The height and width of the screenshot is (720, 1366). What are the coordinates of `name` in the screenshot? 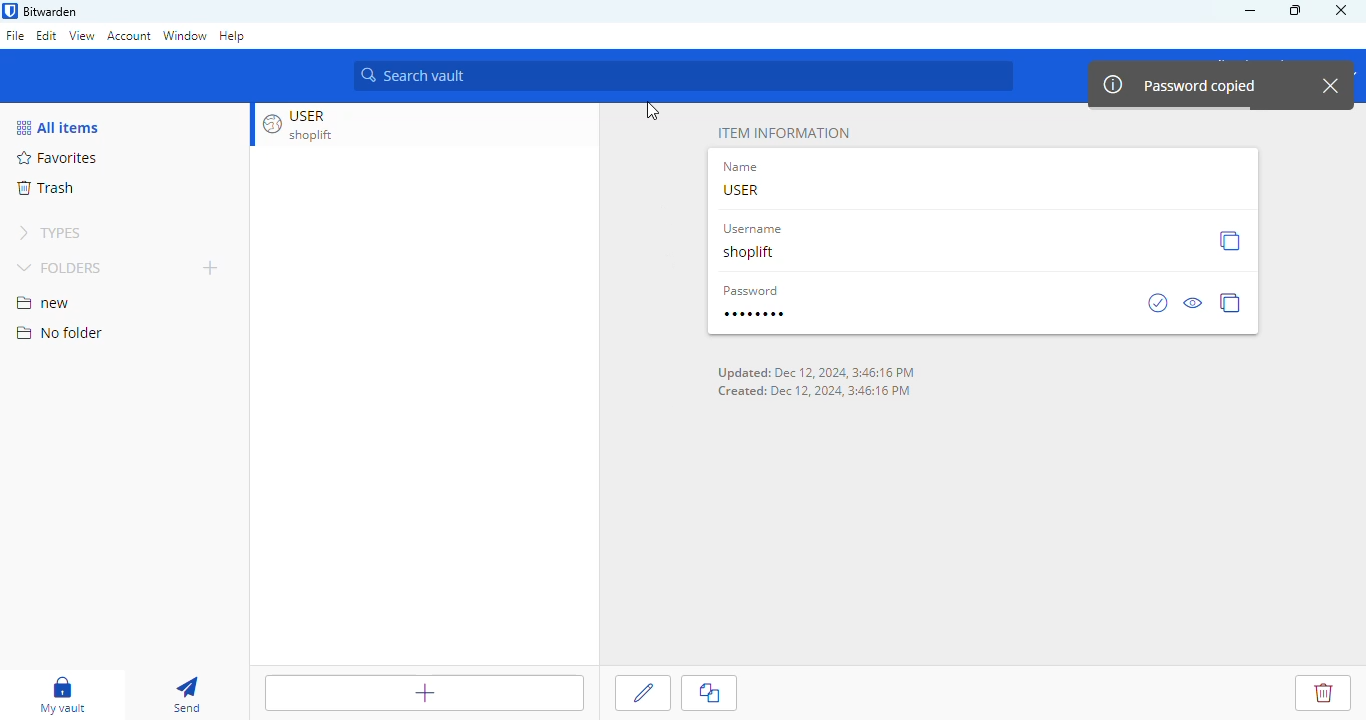 It's located at (743, 167).